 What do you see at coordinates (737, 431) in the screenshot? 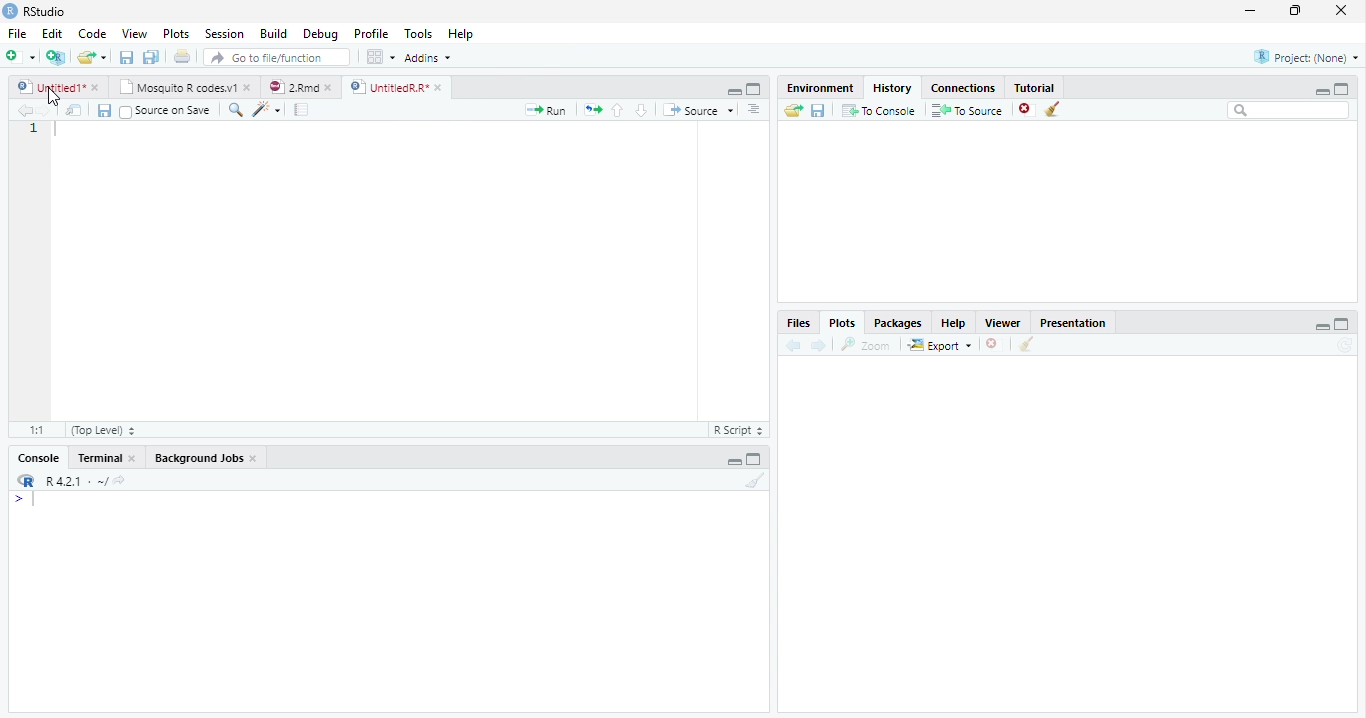
I see `R Script` at bounding box center [737, 431].